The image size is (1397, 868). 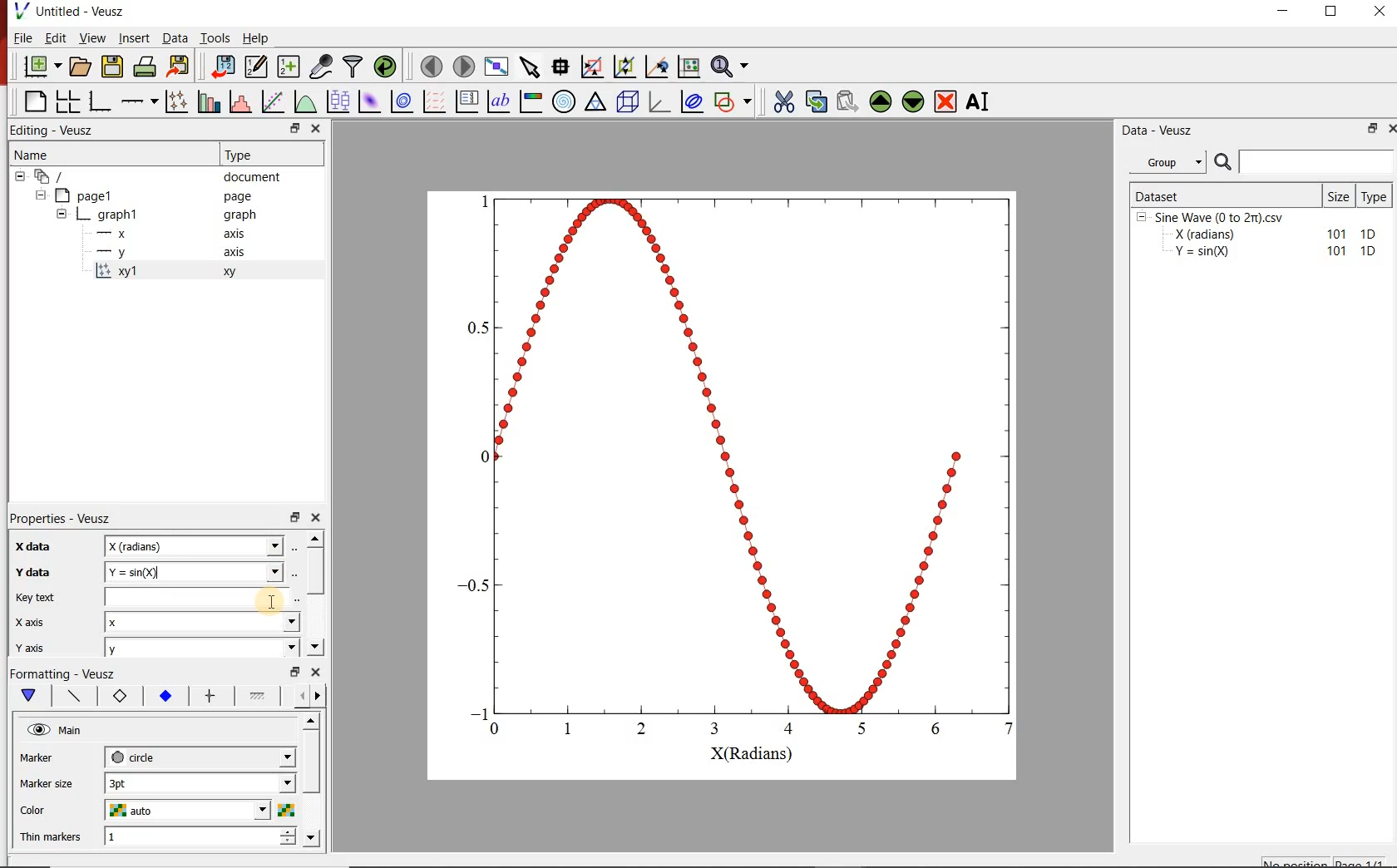 What do you see at coordinates (1332, 12) in the screenshot?
I see `Maximize` at bounding box center [1332, 12].